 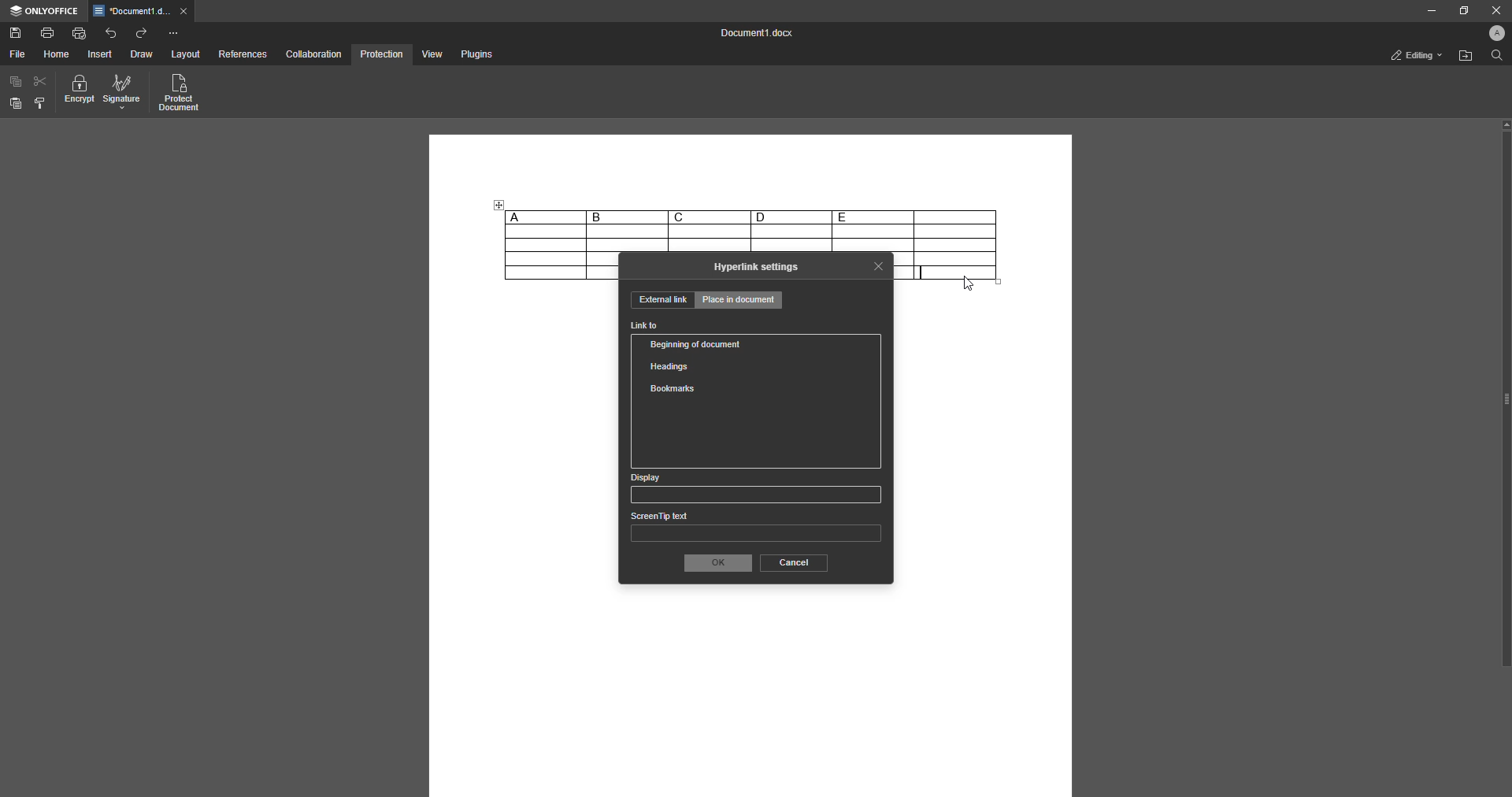 I want to click on Headings, so click(x=673, y=365).